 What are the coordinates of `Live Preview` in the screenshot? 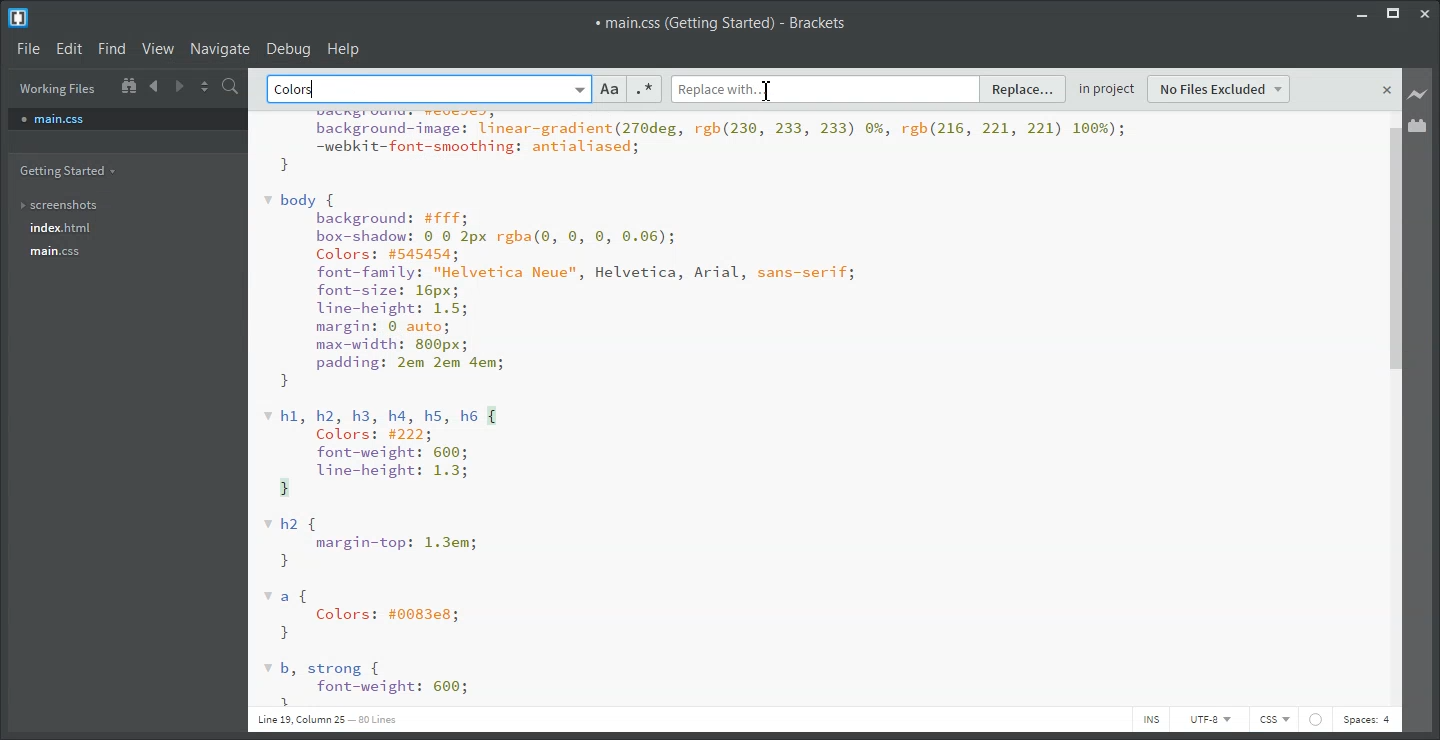 It's located at (1418, 95).